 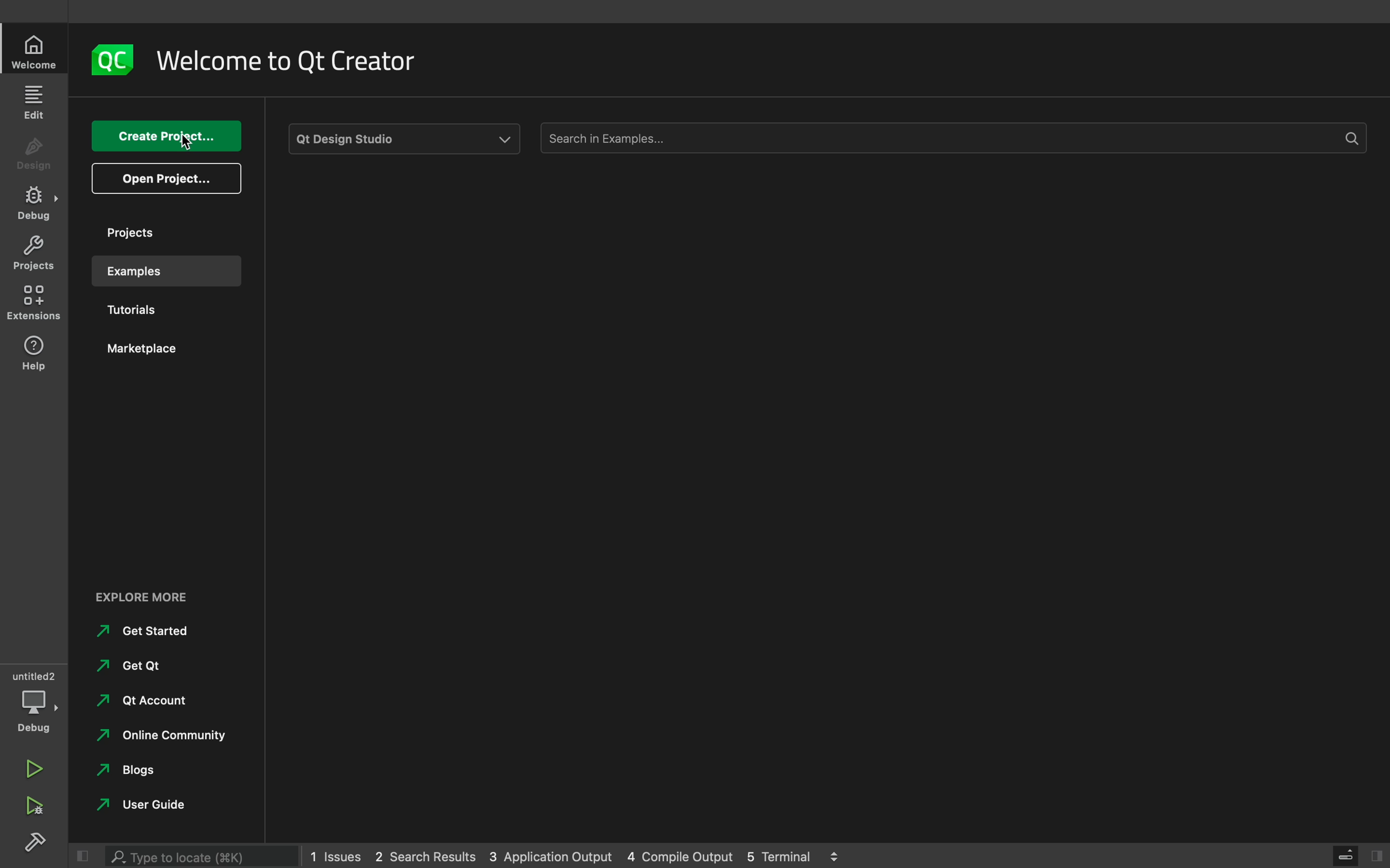 What do you see at coordinates (204, 854) in the screenshot?
I see `searchbar` at bounding box center [204, 854].